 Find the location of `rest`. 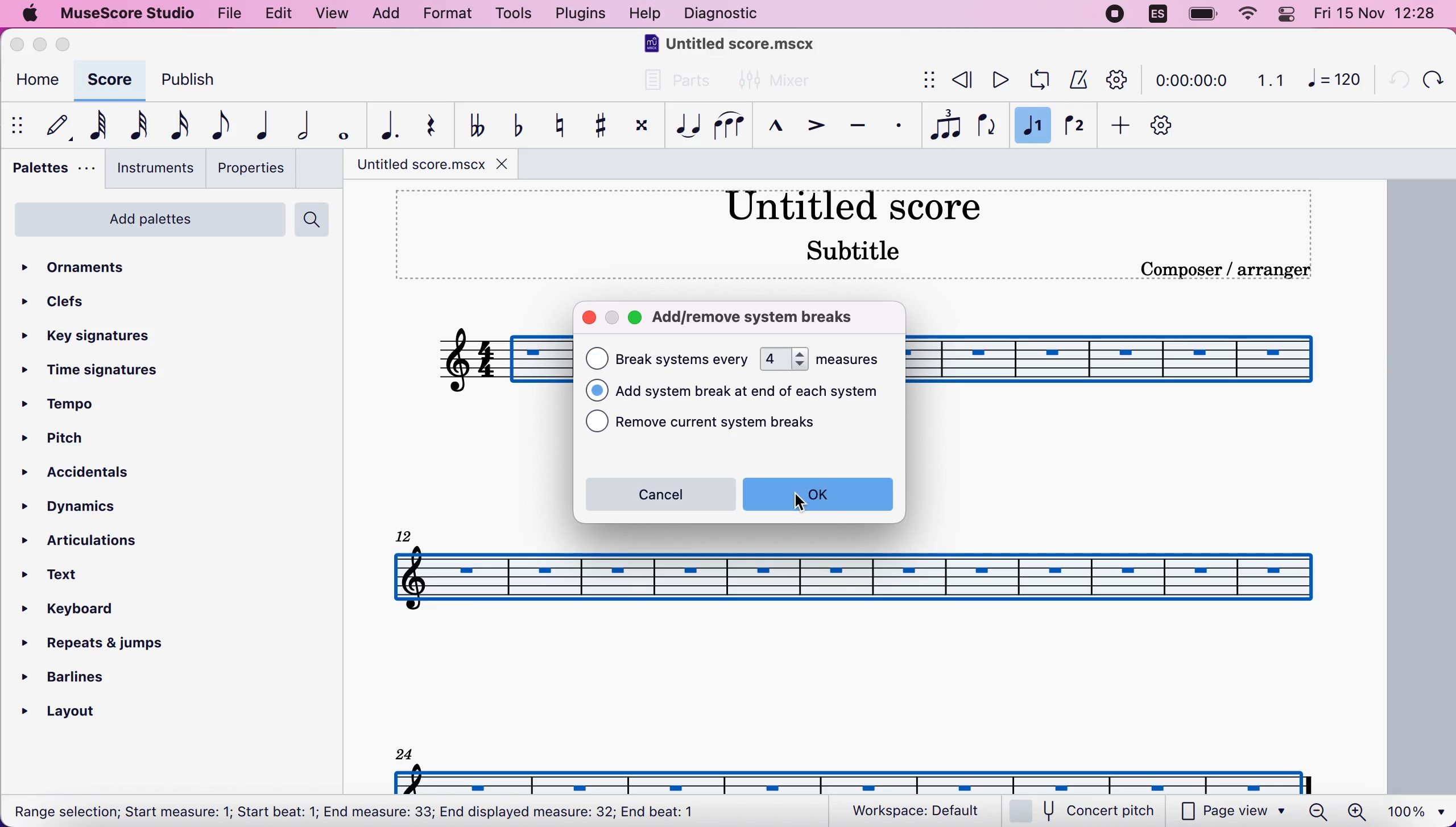

rest is located at coordinates (425, 126).